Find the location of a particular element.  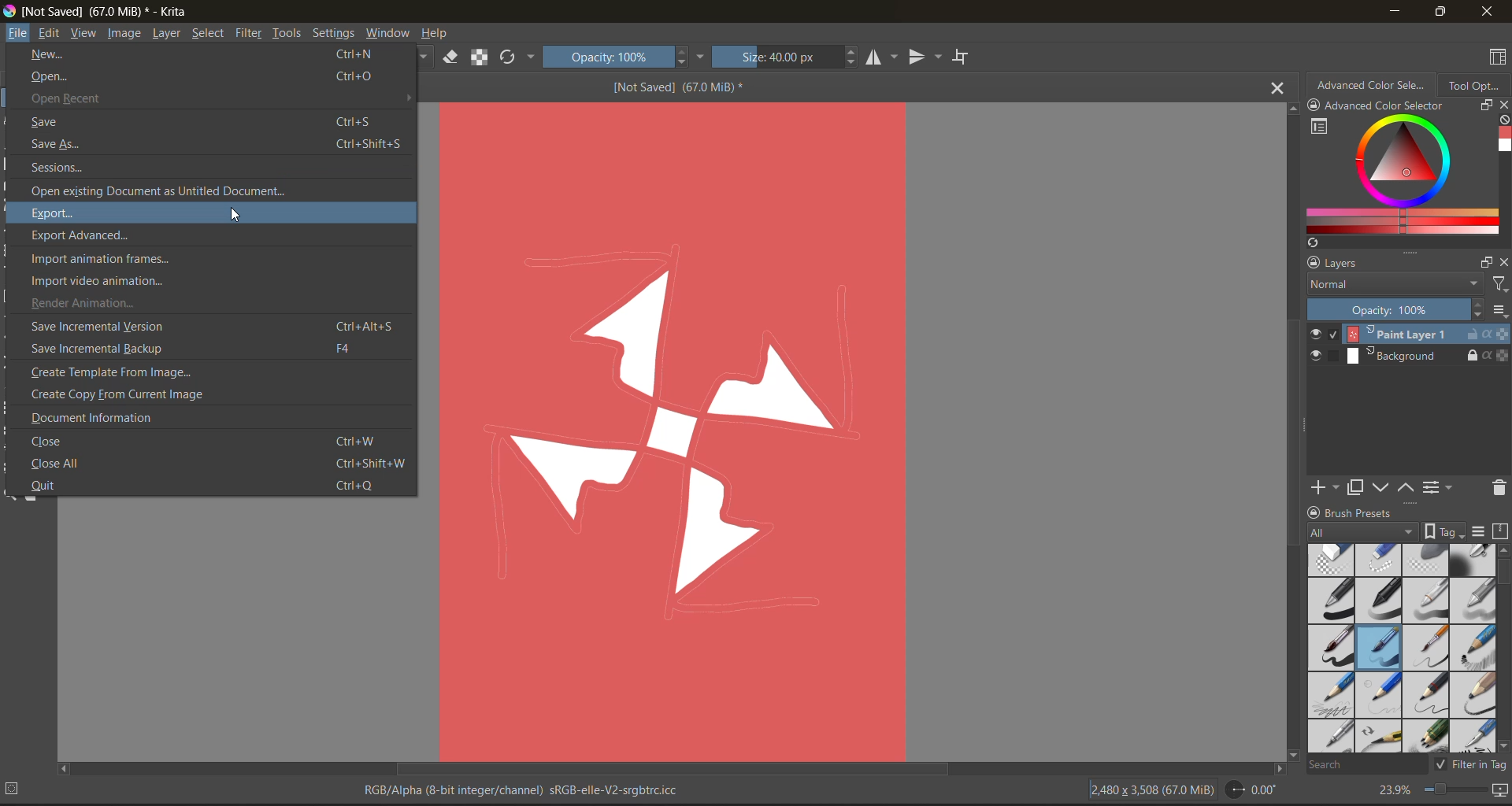

set eraser mode is located at coordinates (450, 58).